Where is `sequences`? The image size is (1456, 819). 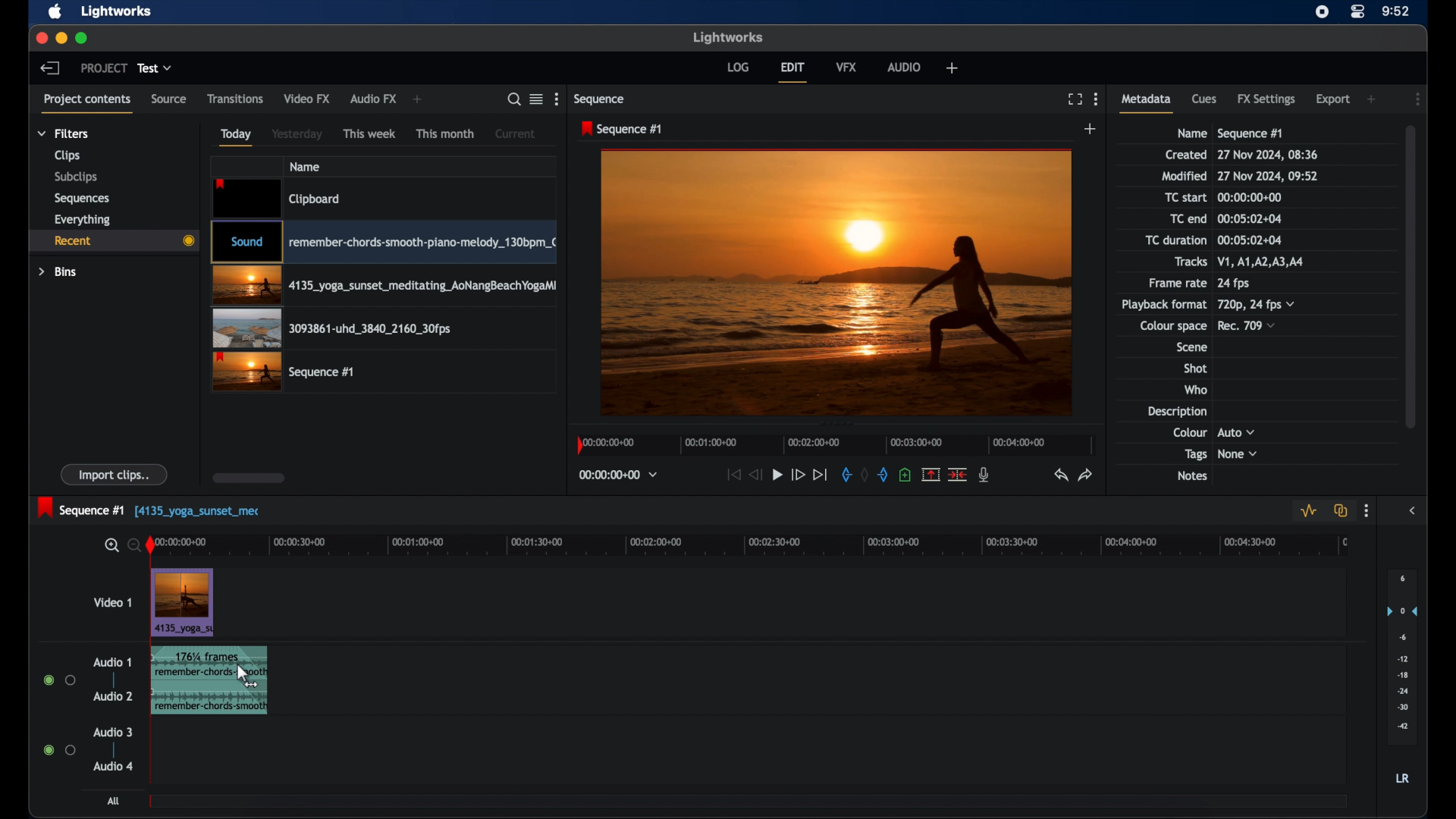 sequences is located at coordinates (82, 199).